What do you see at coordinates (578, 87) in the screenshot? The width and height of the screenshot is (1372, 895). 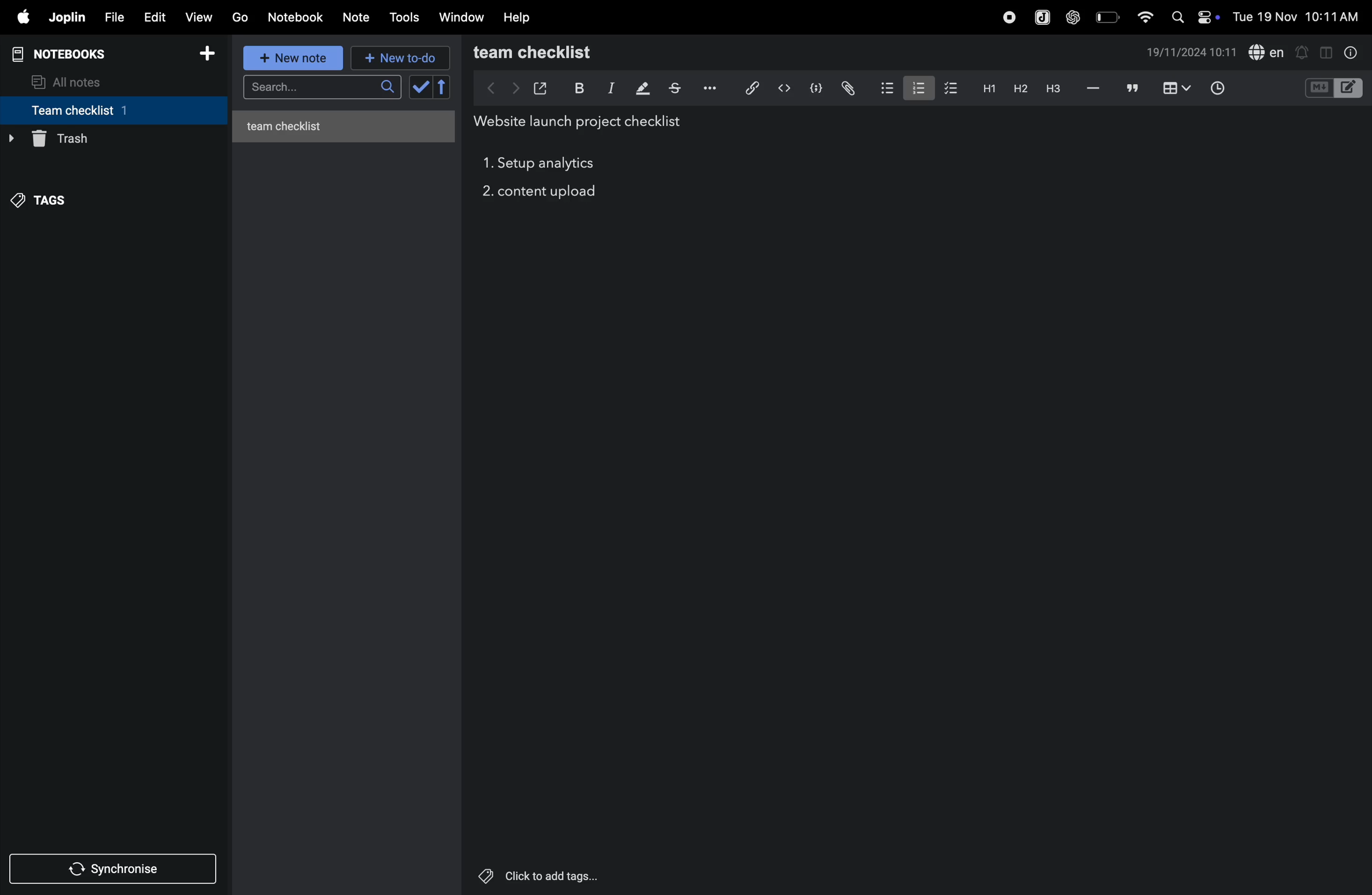 I see `bold` at bounding box center [578, 87].